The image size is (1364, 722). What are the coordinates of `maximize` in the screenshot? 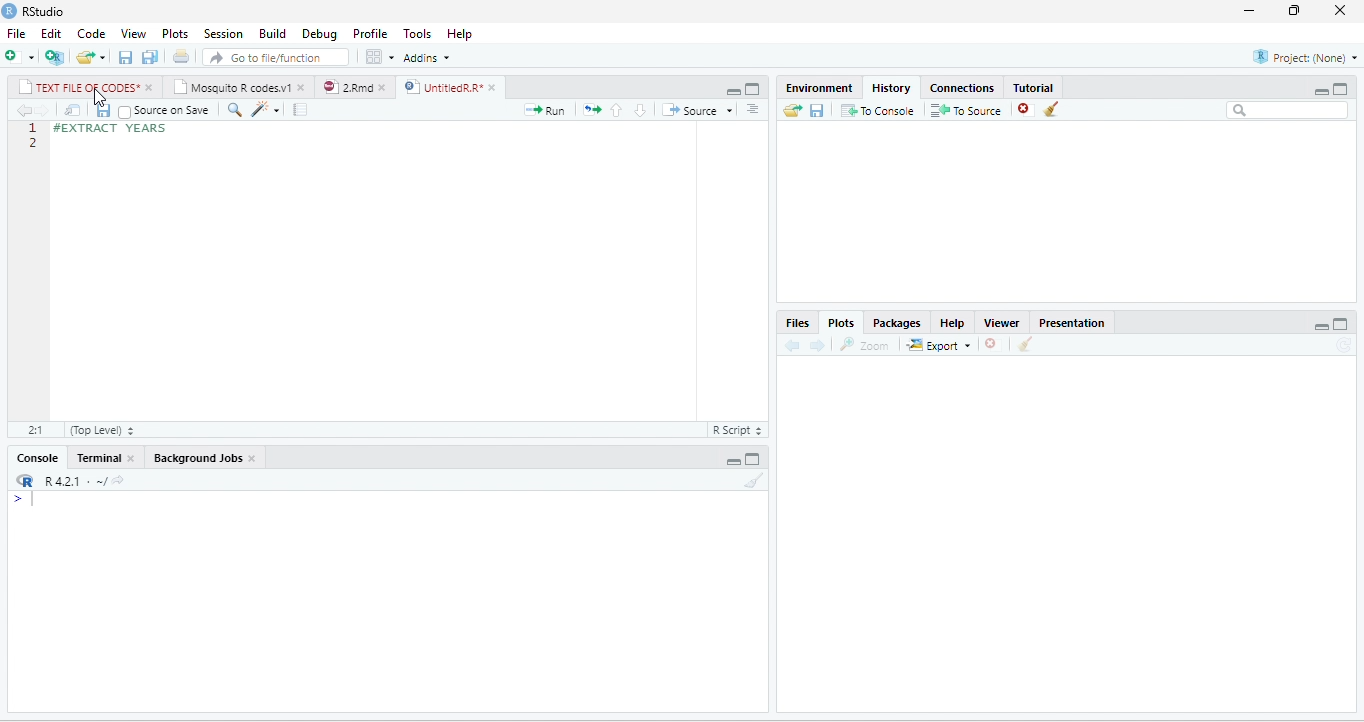 It's located at (752, 458).